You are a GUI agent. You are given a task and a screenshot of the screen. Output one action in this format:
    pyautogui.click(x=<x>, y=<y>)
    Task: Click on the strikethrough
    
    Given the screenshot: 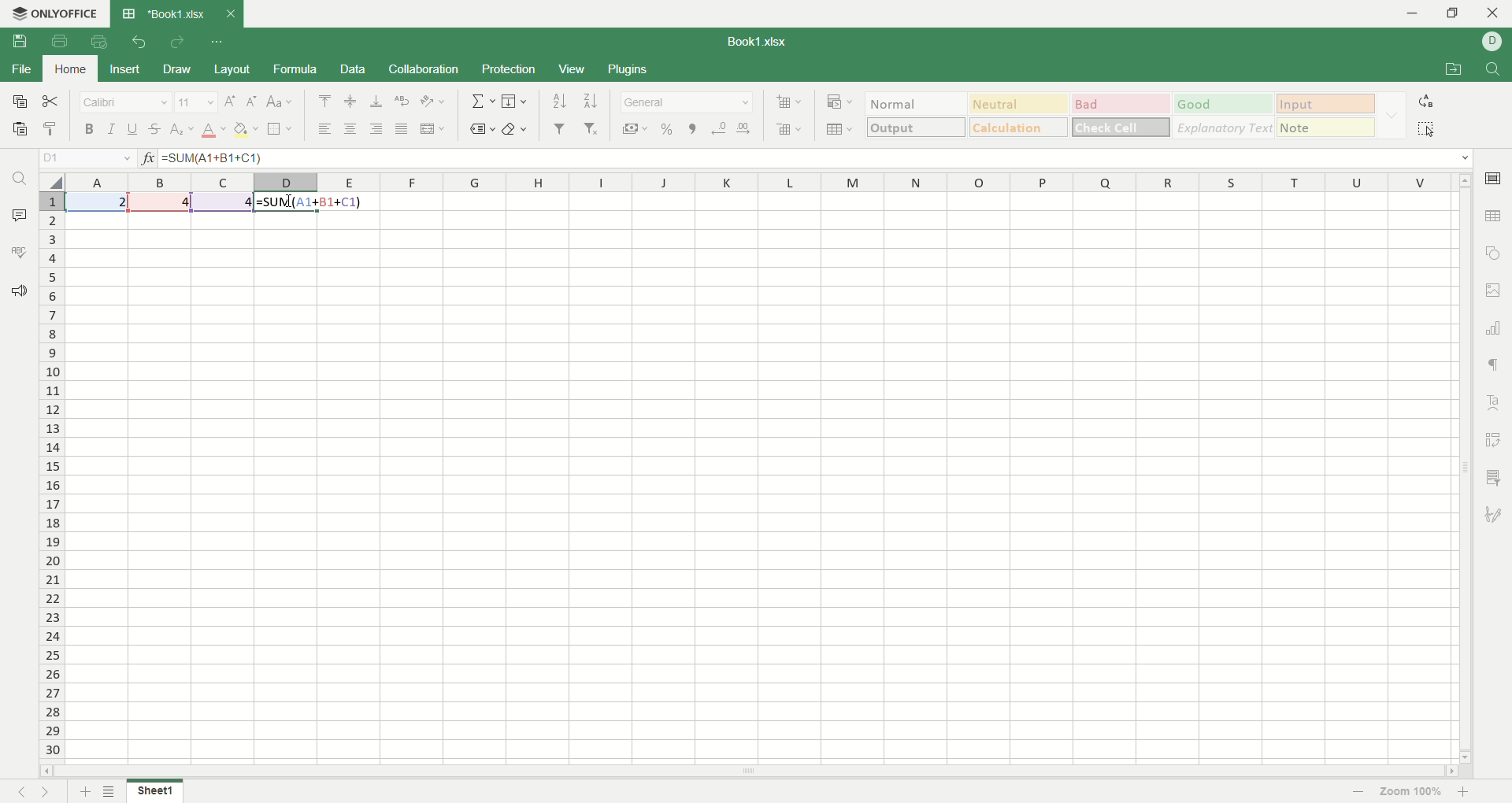 What is the action you would take?
    pyautogui.click(x=155, y=130)
    